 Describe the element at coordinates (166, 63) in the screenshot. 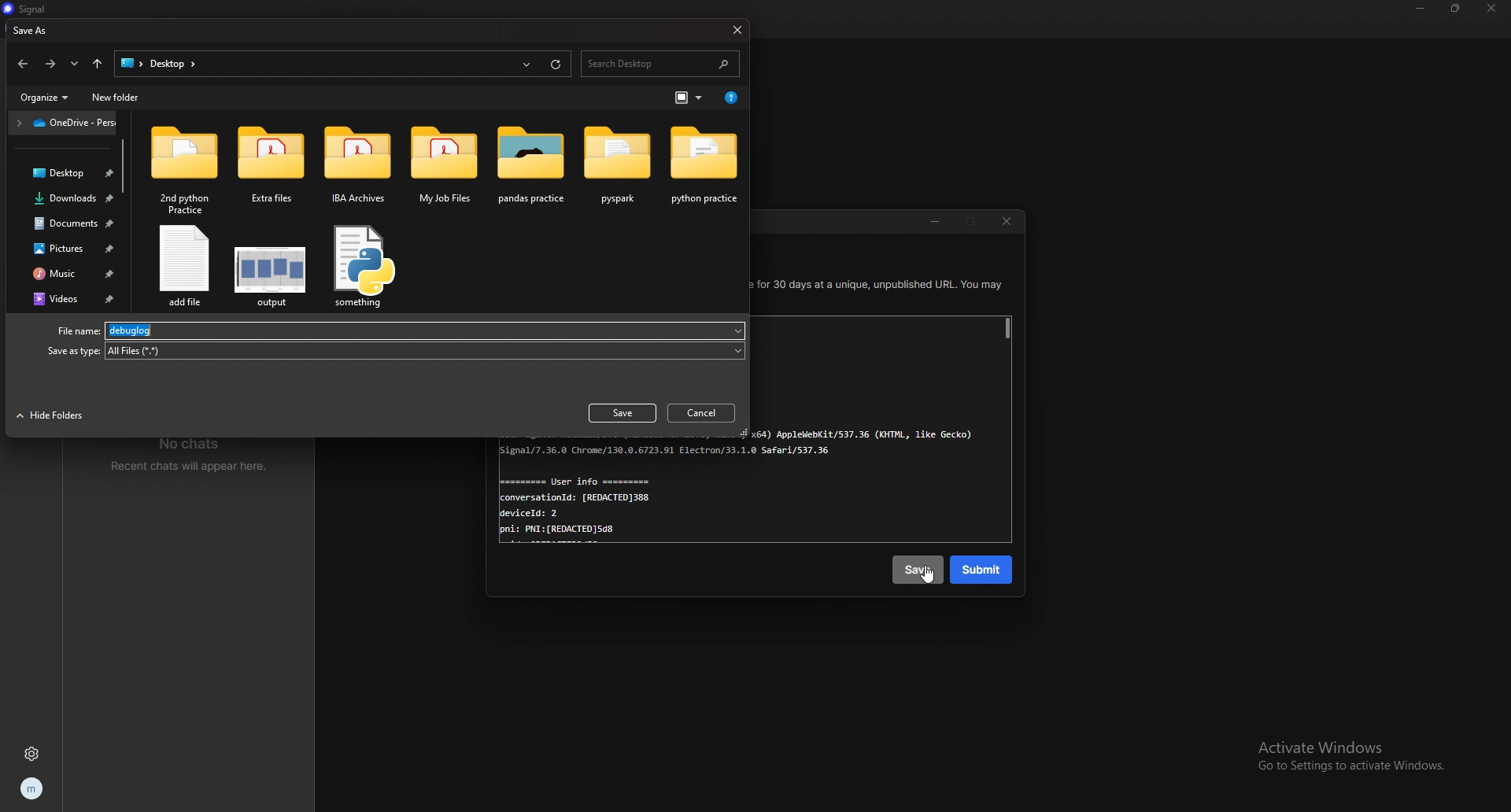

I see `file path` at that location.